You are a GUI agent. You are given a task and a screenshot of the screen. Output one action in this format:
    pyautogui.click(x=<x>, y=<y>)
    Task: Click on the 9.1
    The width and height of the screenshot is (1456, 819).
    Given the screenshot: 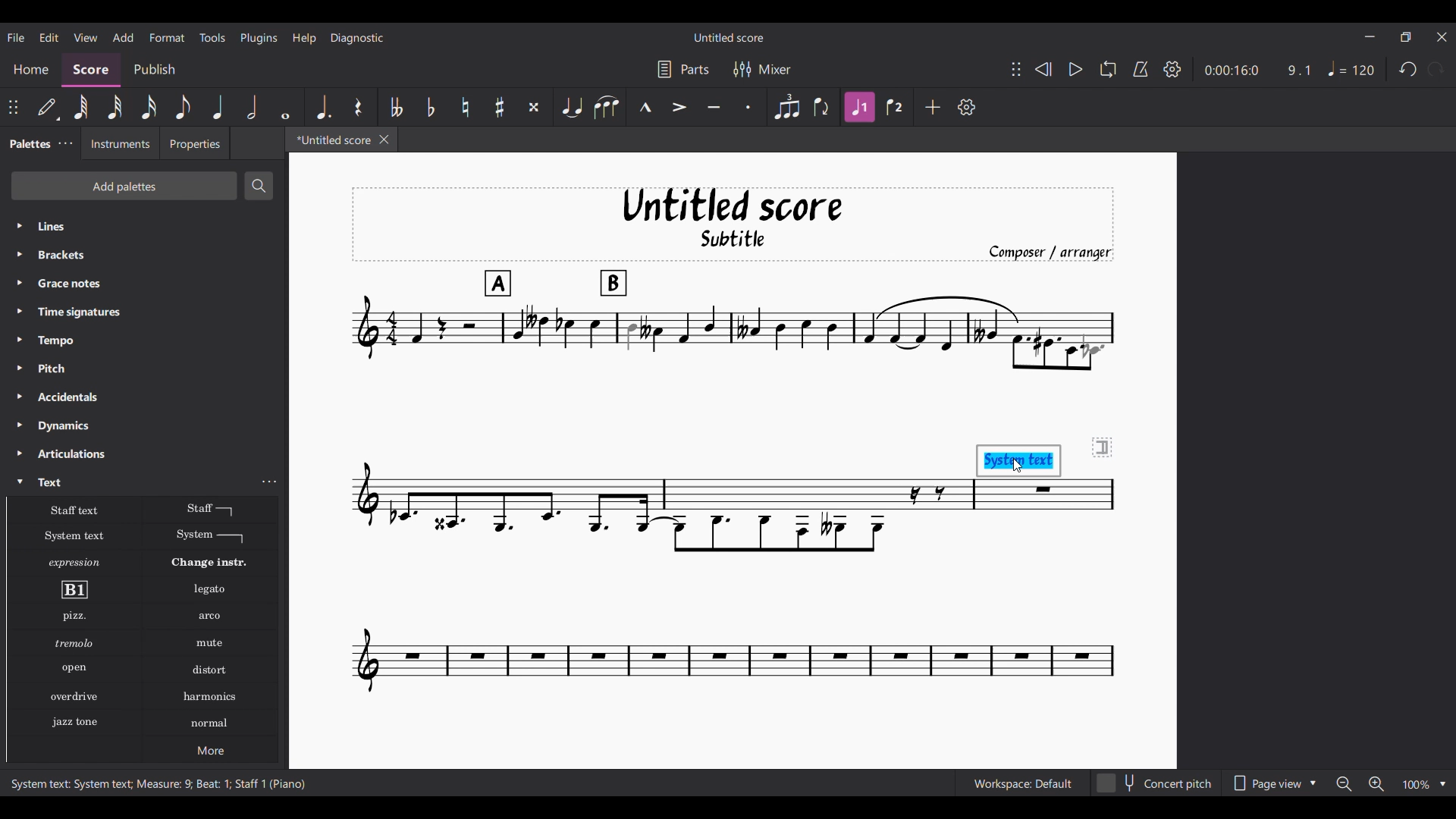 What is the action you would take?
    pyautogui.click(x=1298, y=70)
    